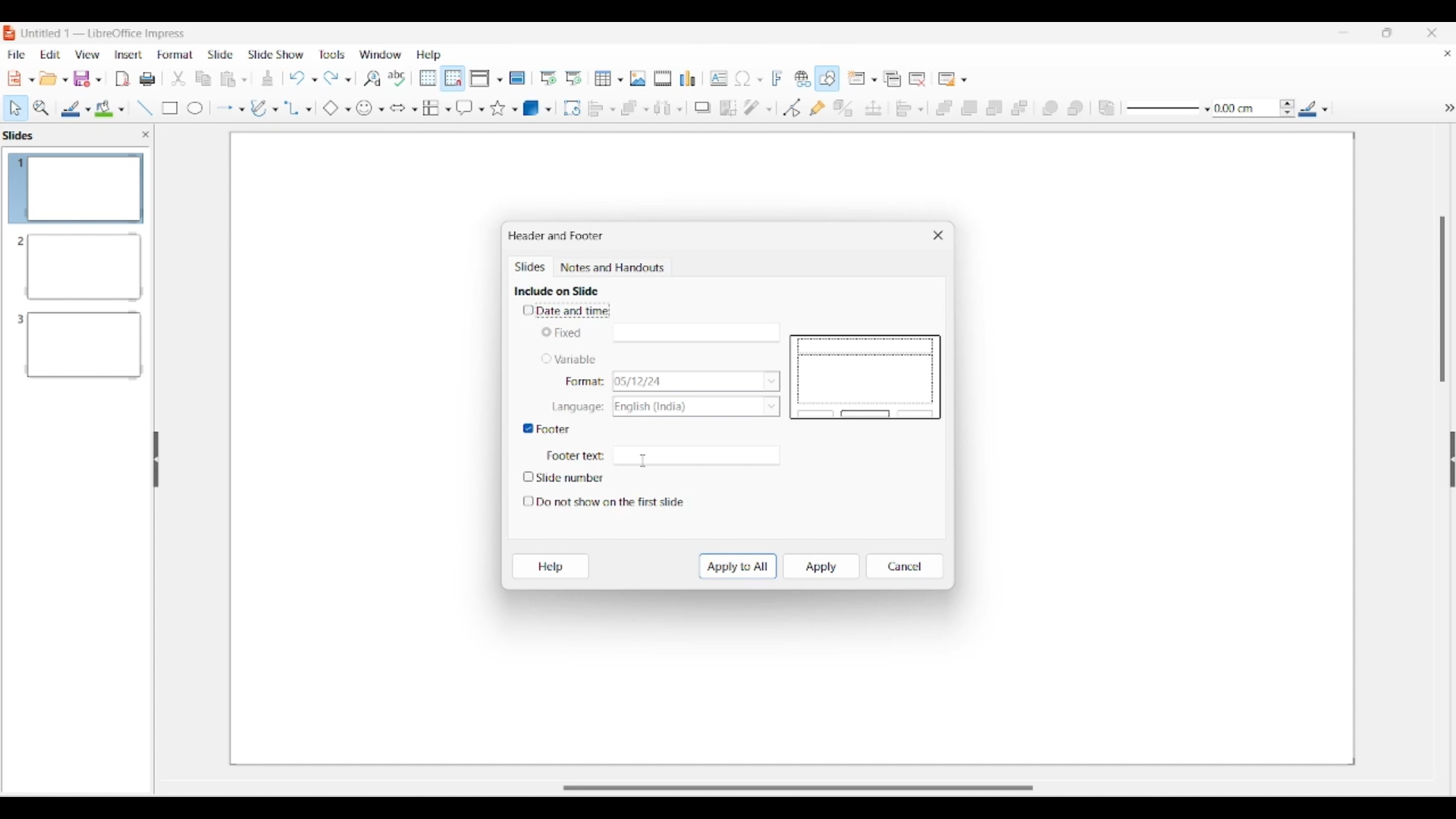 The image size is (1456, 819). I want to click on Cancel, so click(904, 566).